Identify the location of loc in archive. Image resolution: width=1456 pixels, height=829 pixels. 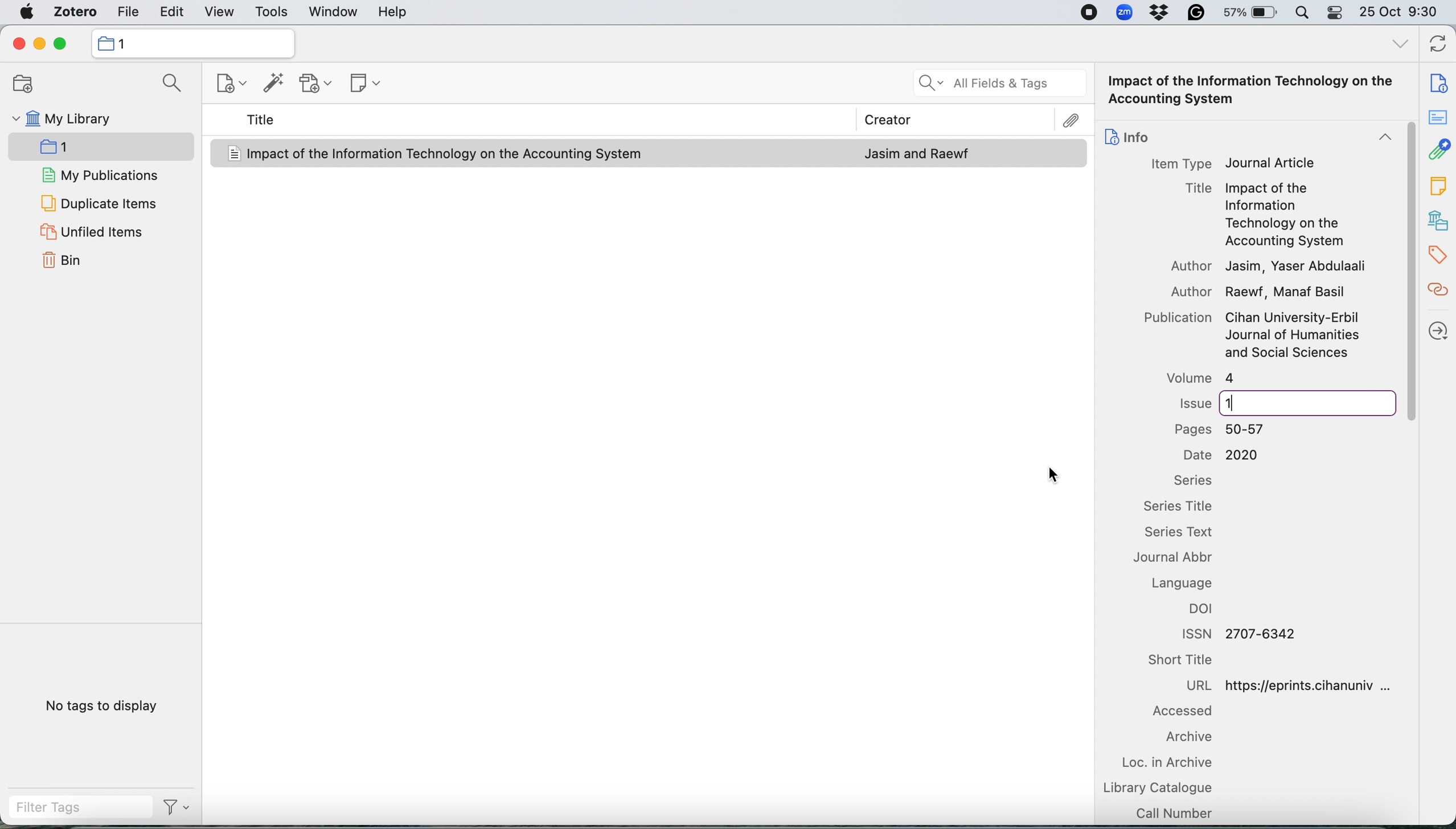
(1171, 763).